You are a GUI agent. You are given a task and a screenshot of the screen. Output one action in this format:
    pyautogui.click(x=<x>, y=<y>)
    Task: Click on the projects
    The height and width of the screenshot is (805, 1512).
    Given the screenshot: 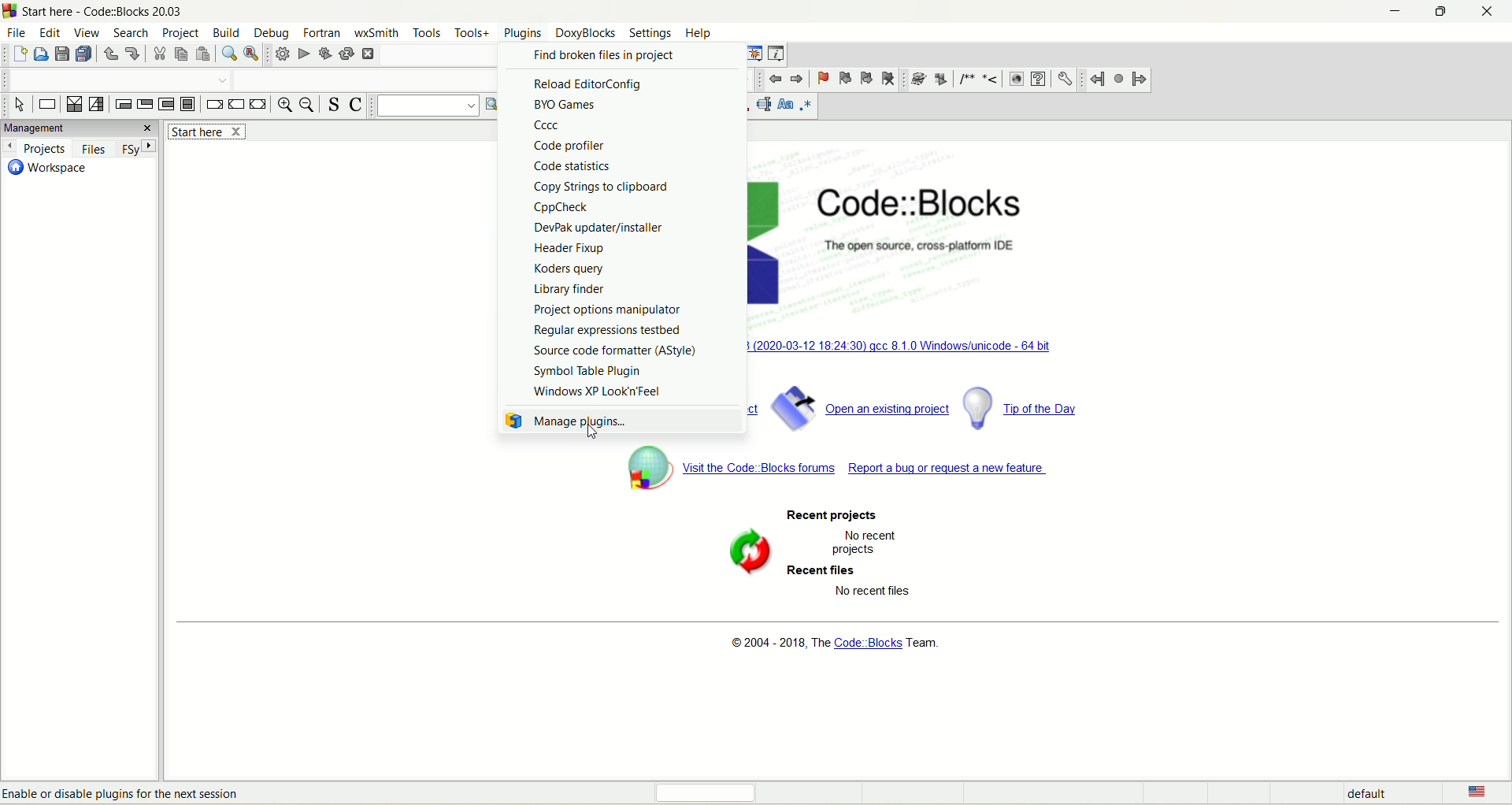 What is the action you would take?
    pyautogui.click(x=35, y=147)
    